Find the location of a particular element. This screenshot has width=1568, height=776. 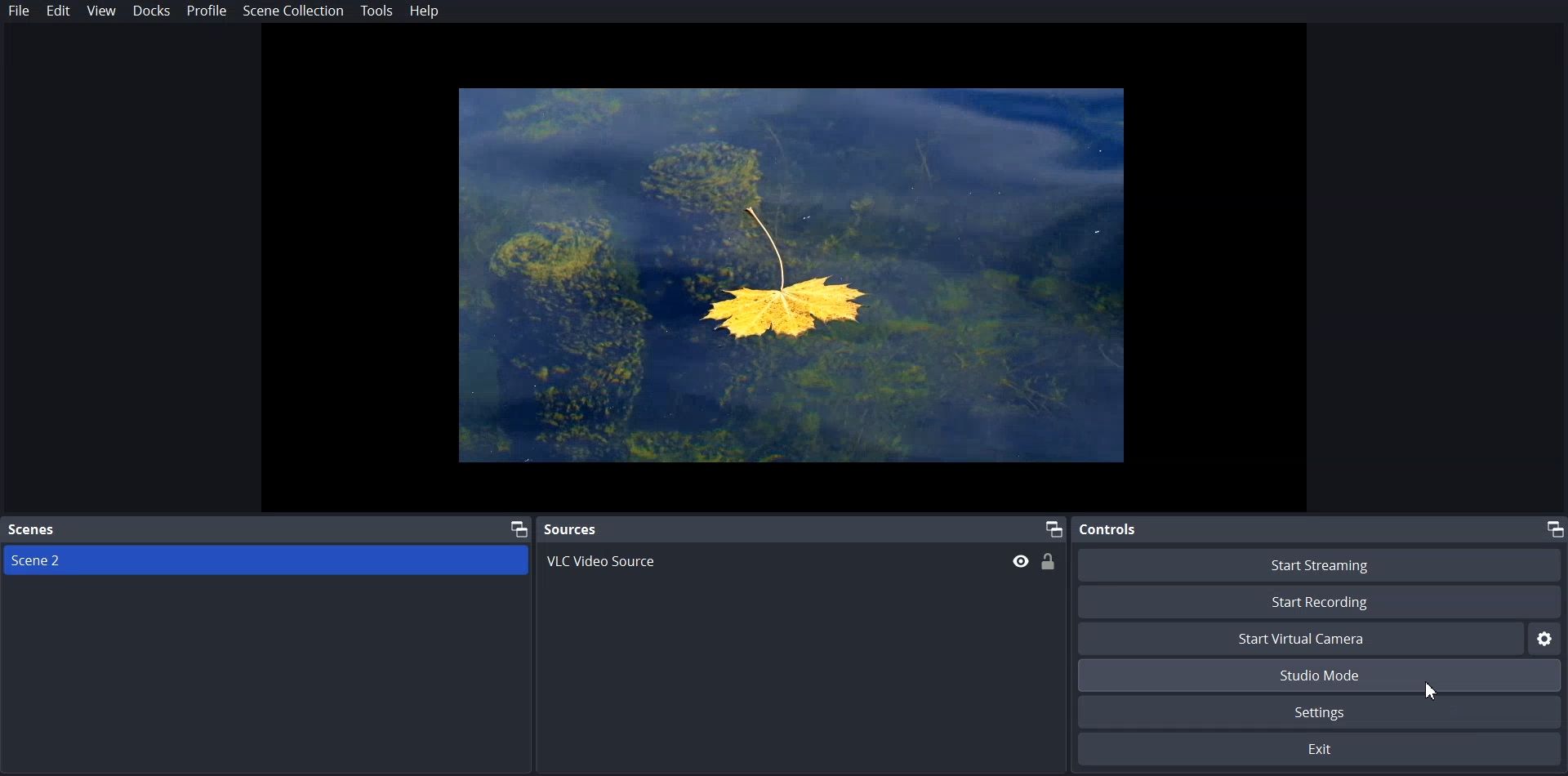

Maximize is located at coordinates (1554, 528).